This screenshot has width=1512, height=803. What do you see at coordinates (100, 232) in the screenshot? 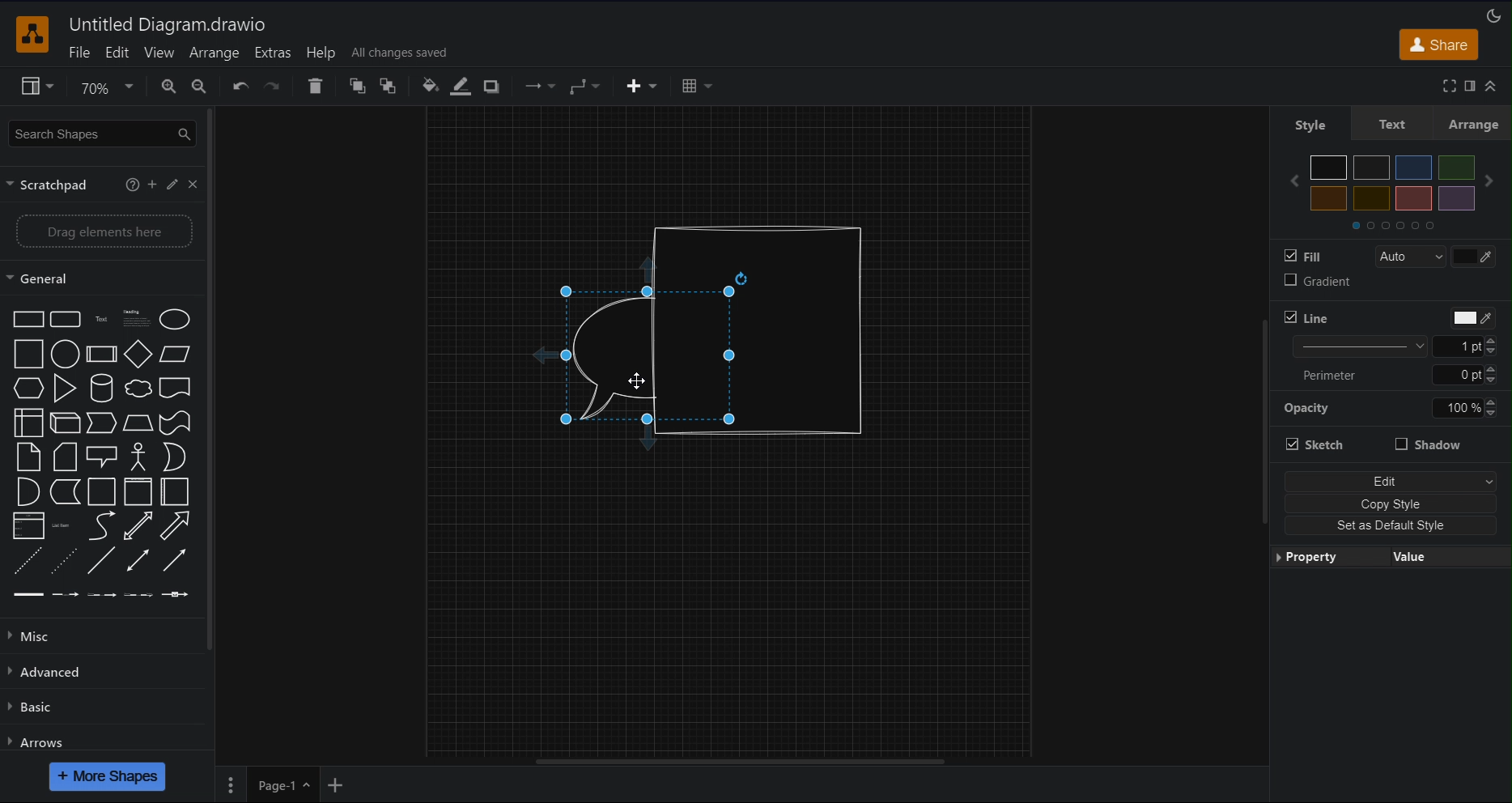
I see `Drag elements here` at bounding box center [100, 232].